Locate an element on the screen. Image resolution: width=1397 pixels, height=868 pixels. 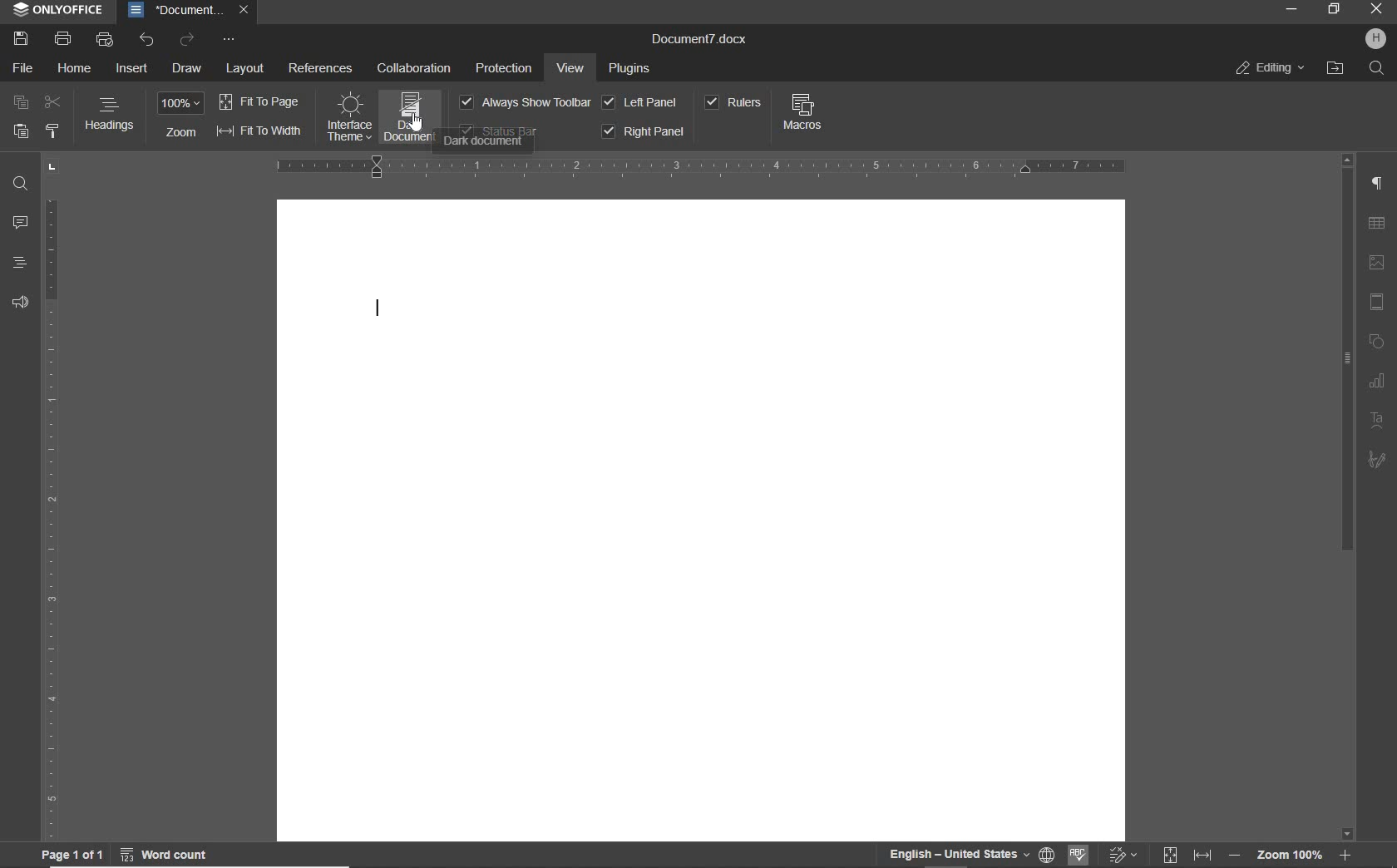
PROTECTION is located at coordinates (507, 70).